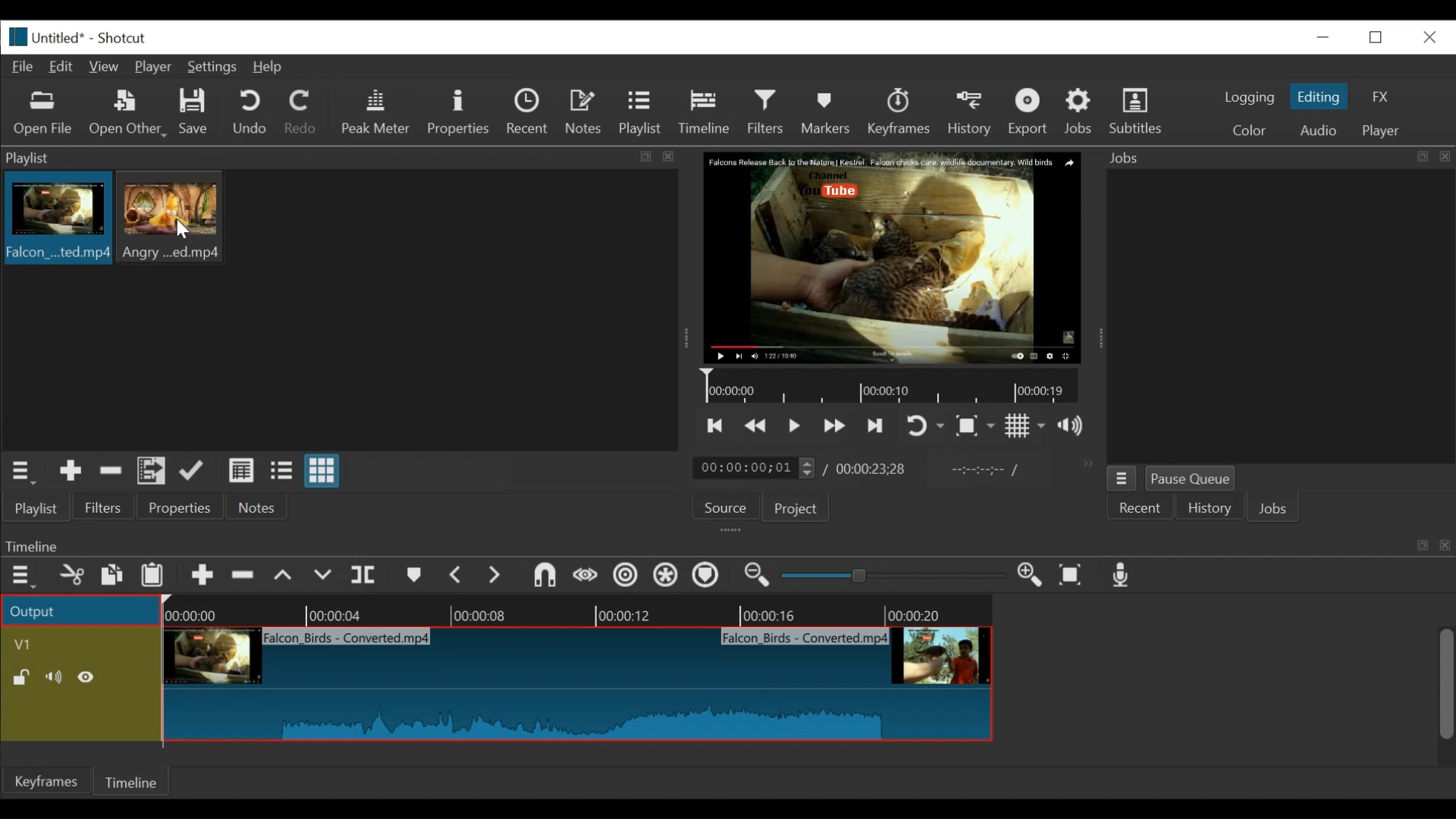  What do you see at coordinates (245, 578) in the screenshot?
I see `Remove cut` at bounding box center [245, 578].